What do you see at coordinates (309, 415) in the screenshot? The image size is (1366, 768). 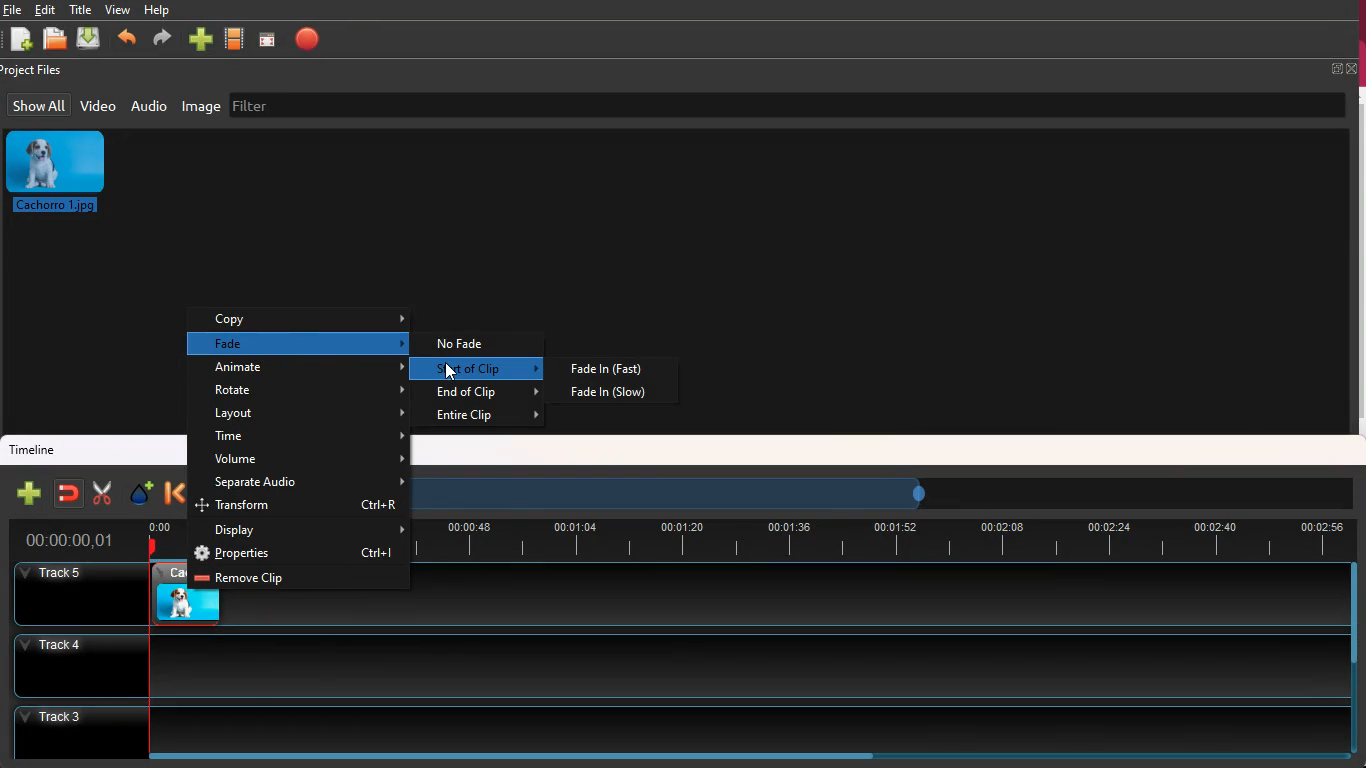 I see `layout` at bounding box center [309, 415].